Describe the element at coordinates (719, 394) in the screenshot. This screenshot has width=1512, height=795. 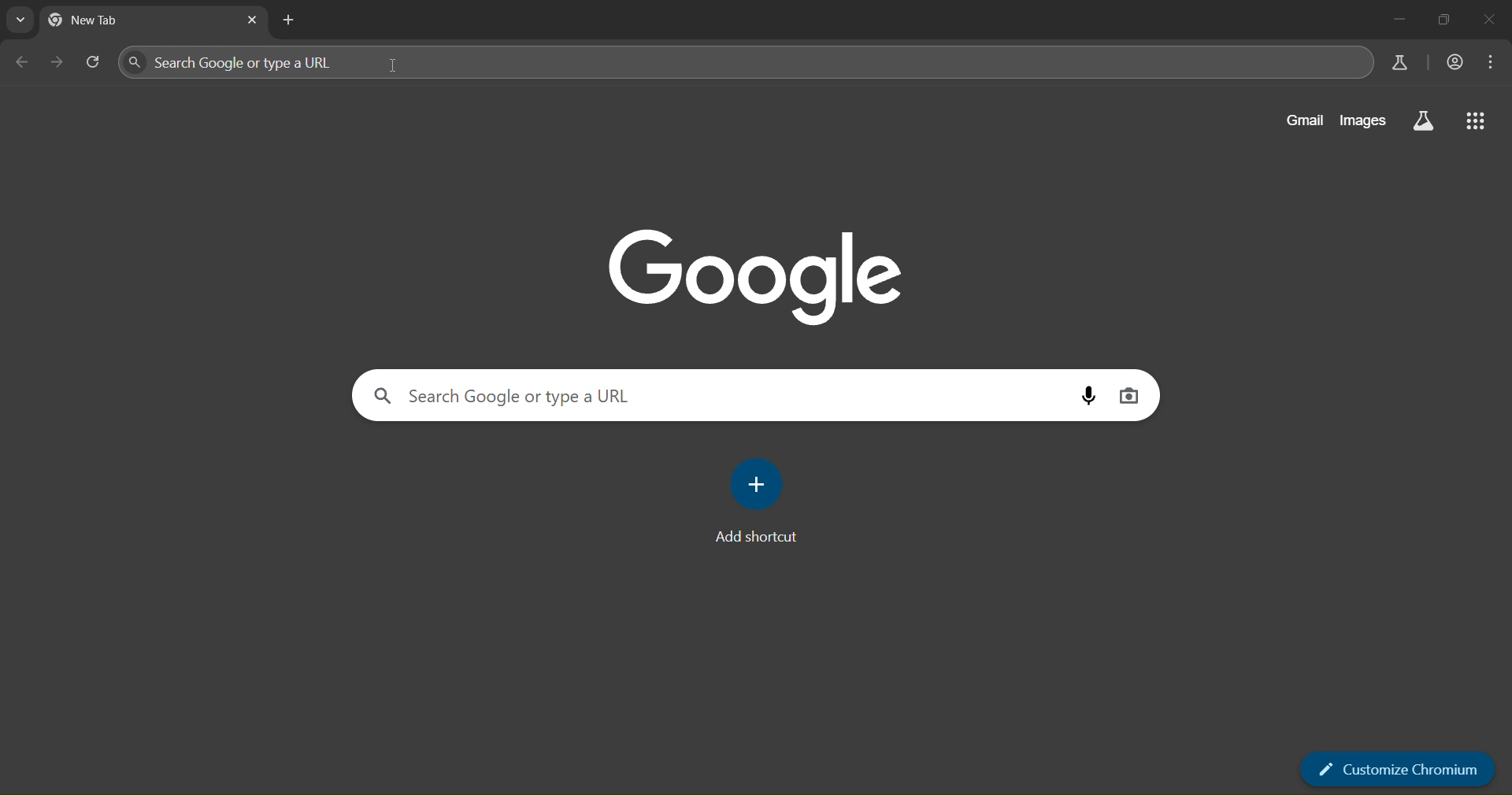
I see `Search Google or type a URL` at that location.